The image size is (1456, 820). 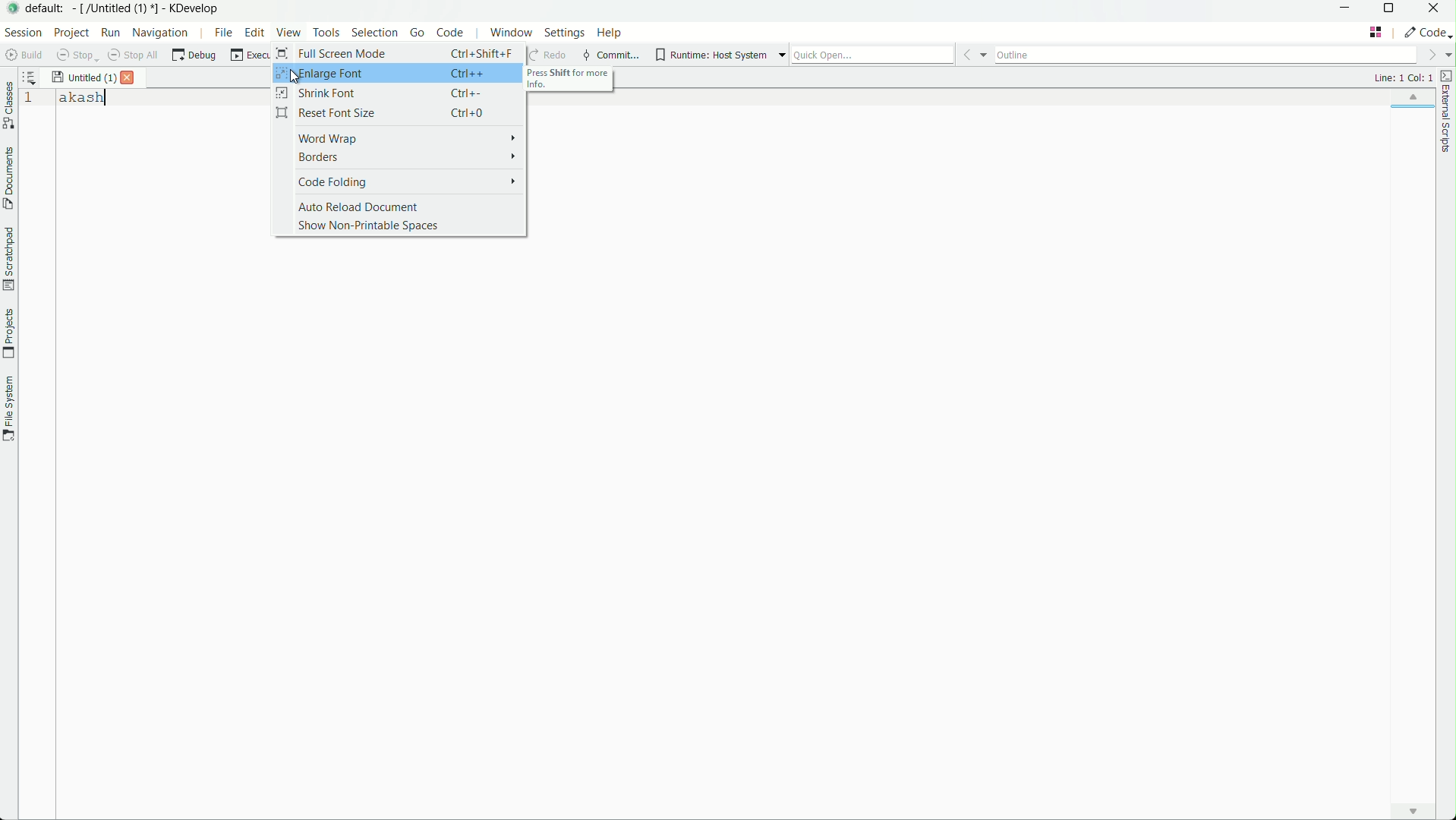 What do you see at coordinates (711, 57) in the screenshot?
I see `runtime host system` at bounding box center [711, 57].